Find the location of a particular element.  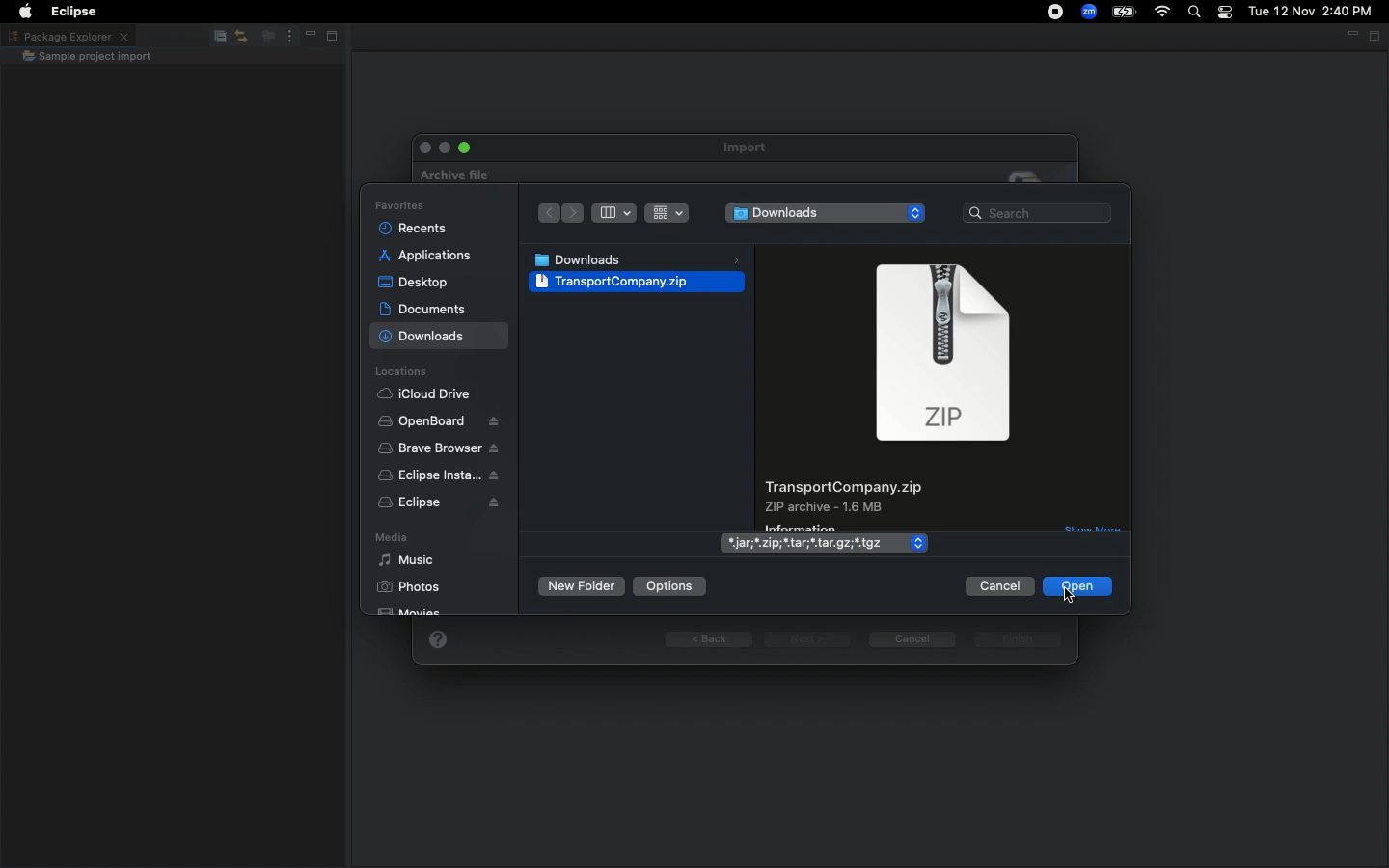

ZIP Icon is located at coordinates (945, 361).